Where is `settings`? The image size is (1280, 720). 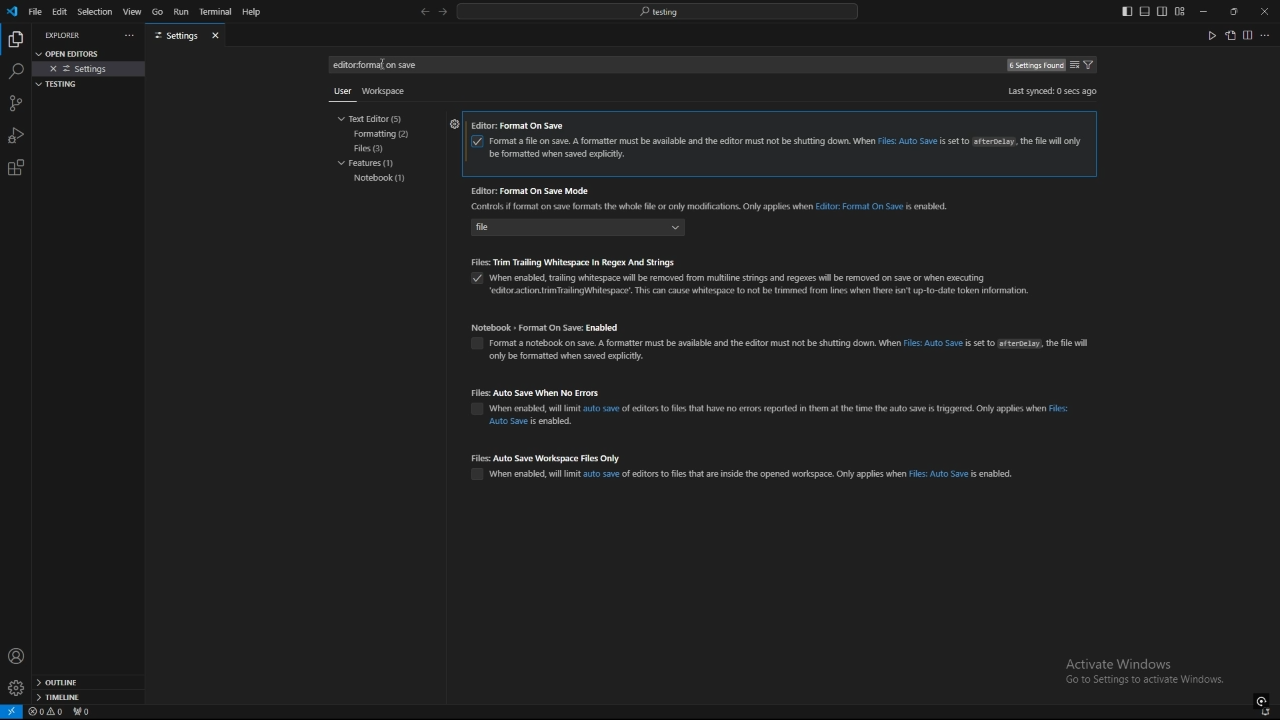 settings is located at coordinates (453, 123).